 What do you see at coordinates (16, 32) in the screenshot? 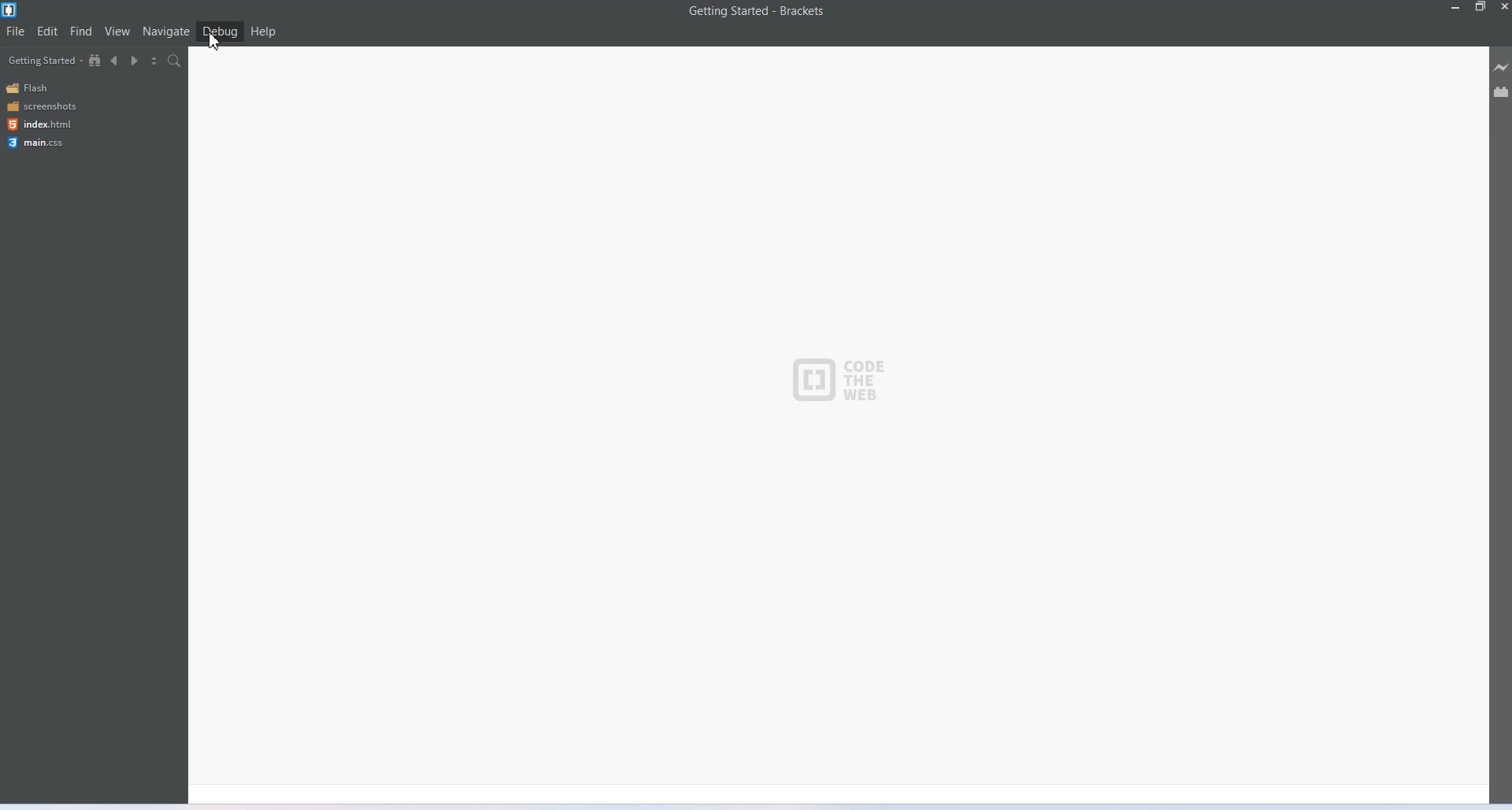
I see `File` at bounding box center [16, 32].